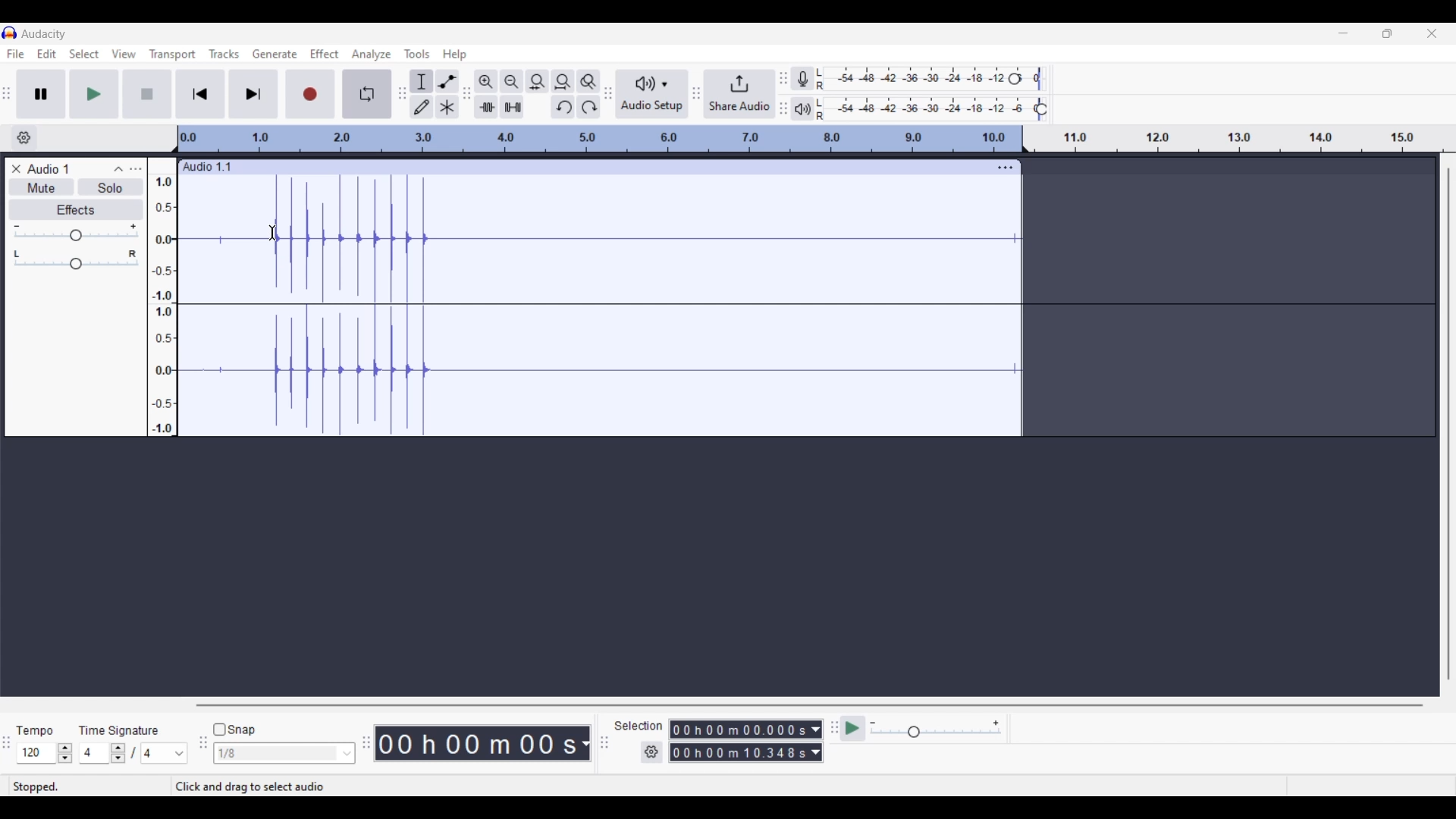  I want to click on Status of recording, so click(89, 786).